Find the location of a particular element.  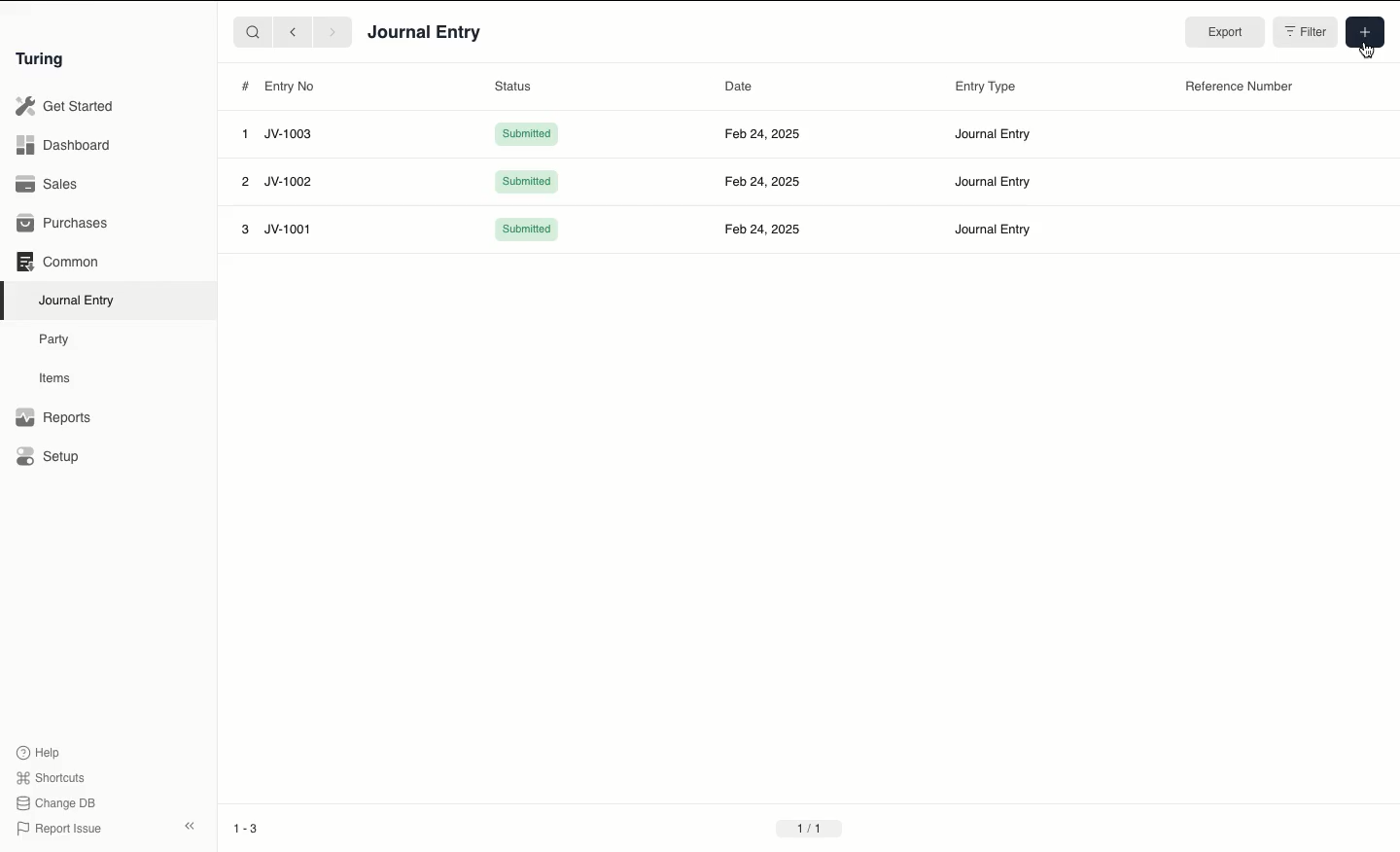

Cursor is located at coordinates (1369, 50).